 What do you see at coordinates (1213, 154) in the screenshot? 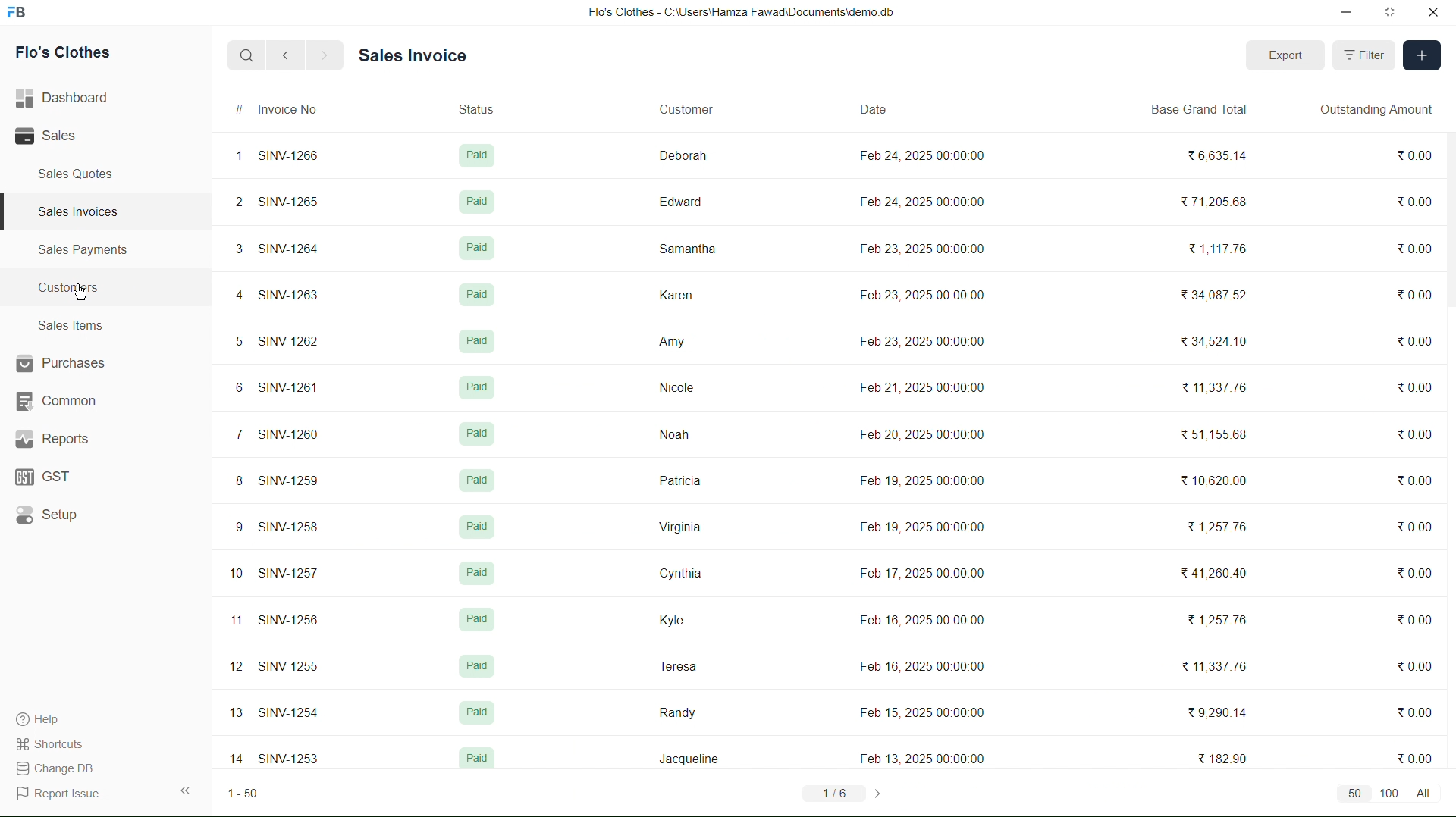
I see `16,635.14` at bounding box center [1213, 154].